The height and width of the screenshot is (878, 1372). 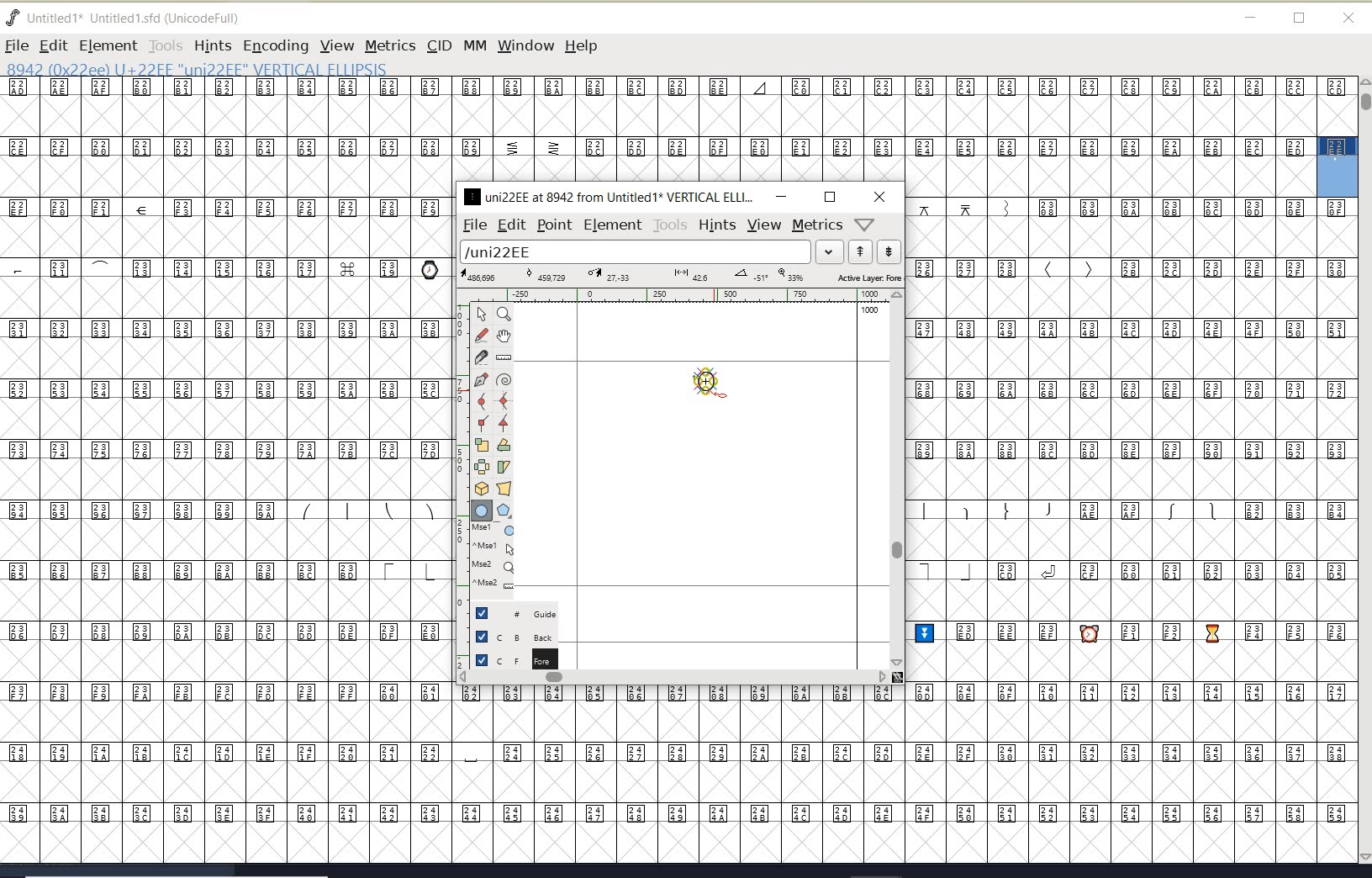 What do you see at coordinates (673, 679) in the screenshot?
I see `scrollbar` at bounding box center [673, 679].